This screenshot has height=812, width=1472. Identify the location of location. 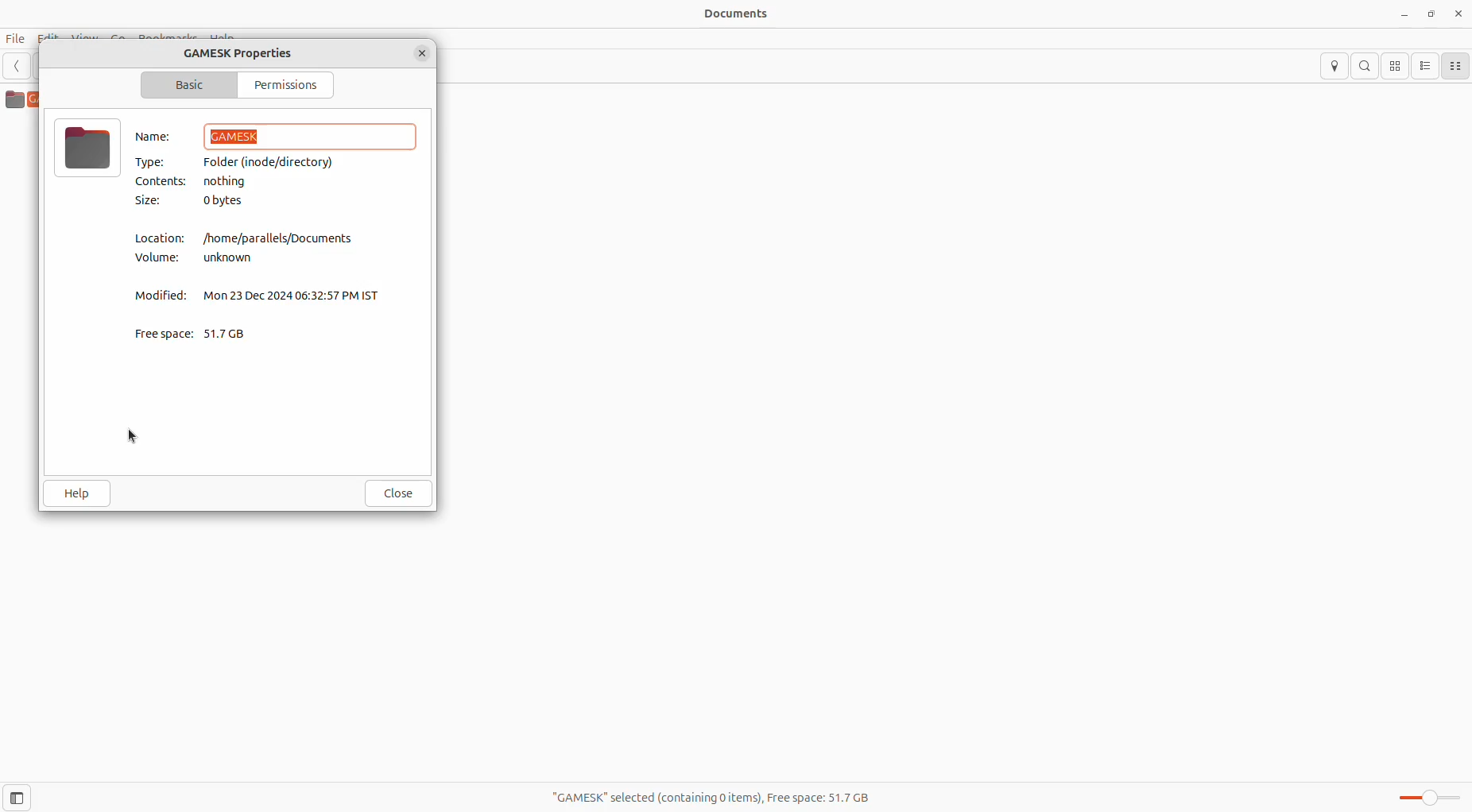
(1335, 68).